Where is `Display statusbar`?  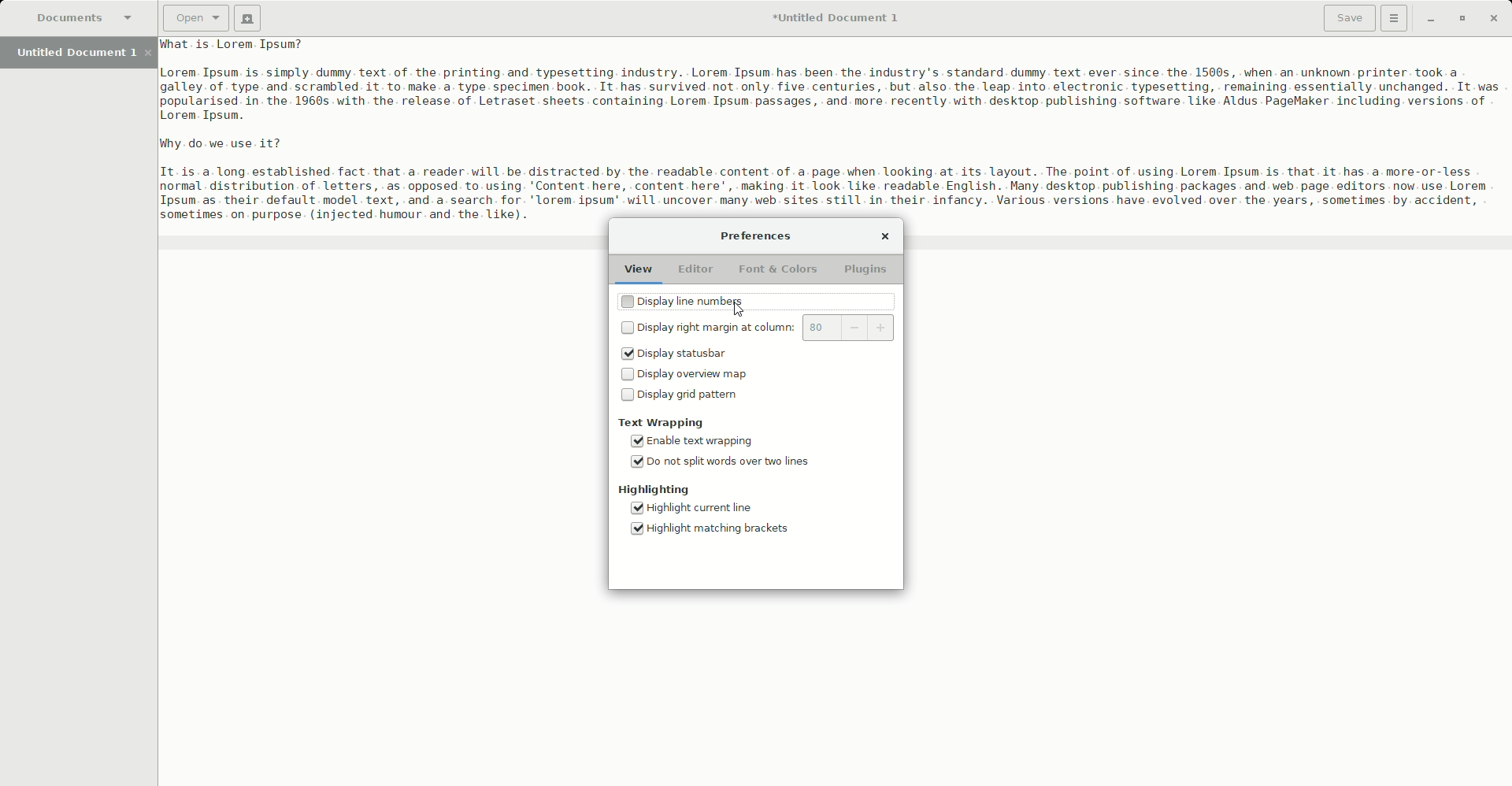 Display statusbar is located at coordinates (677, 354).